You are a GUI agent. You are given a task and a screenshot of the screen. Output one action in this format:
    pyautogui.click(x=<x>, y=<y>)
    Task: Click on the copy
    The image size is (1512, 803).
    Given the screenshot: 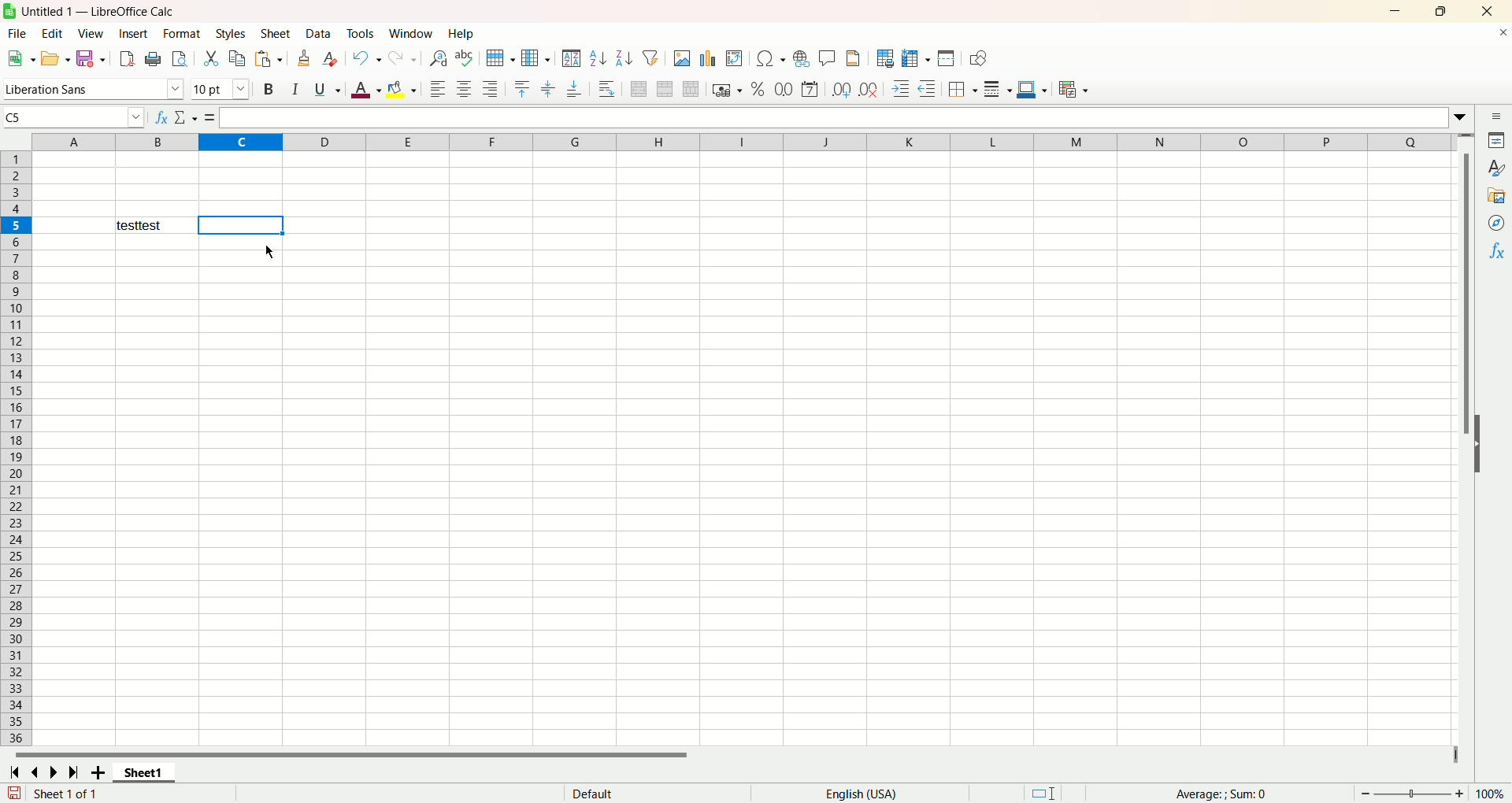 What is the action you would take?
    pyautogui.click(x=237, y=60)
    